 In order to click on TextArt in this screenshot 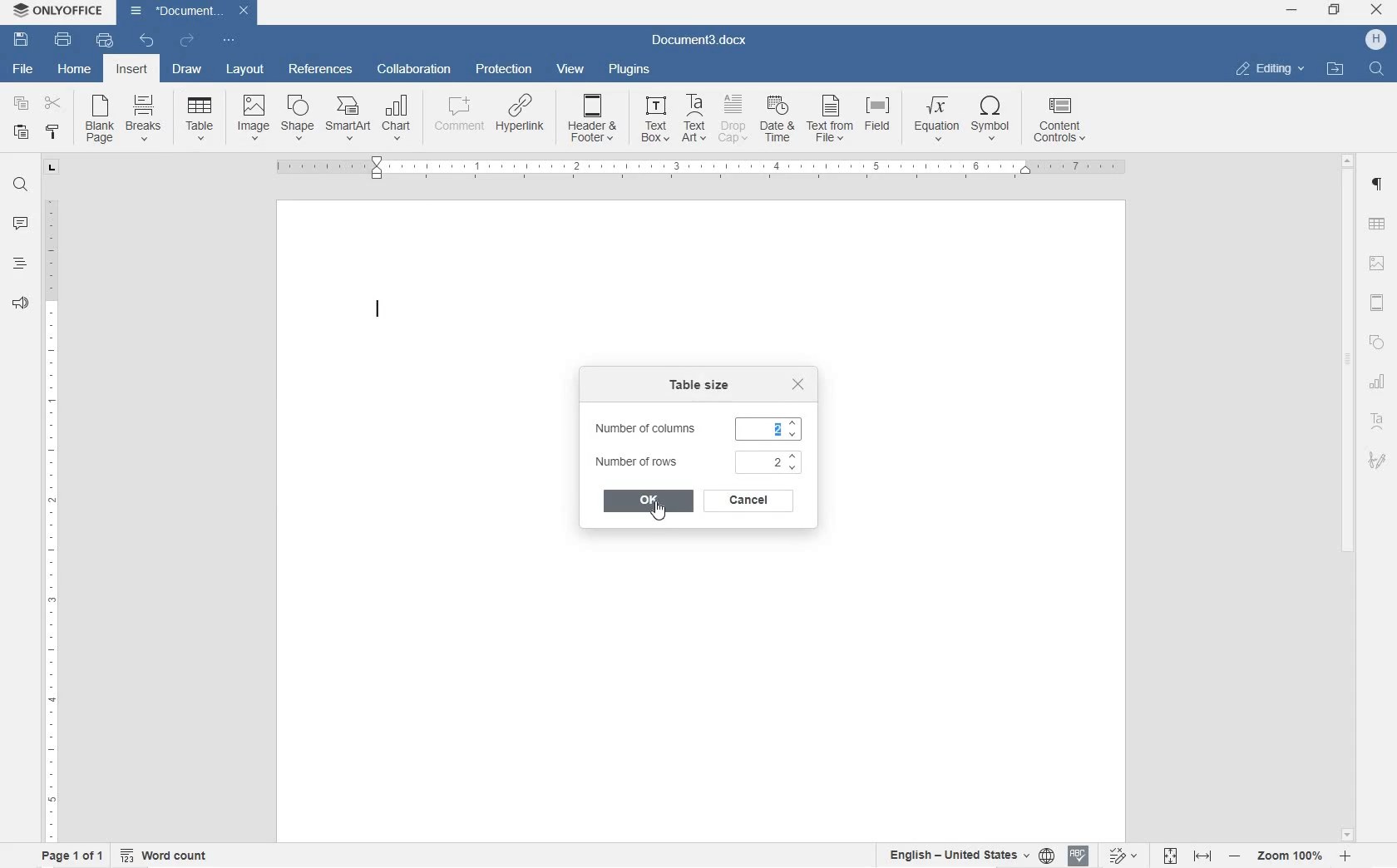, I will do `click(695, 118)`.